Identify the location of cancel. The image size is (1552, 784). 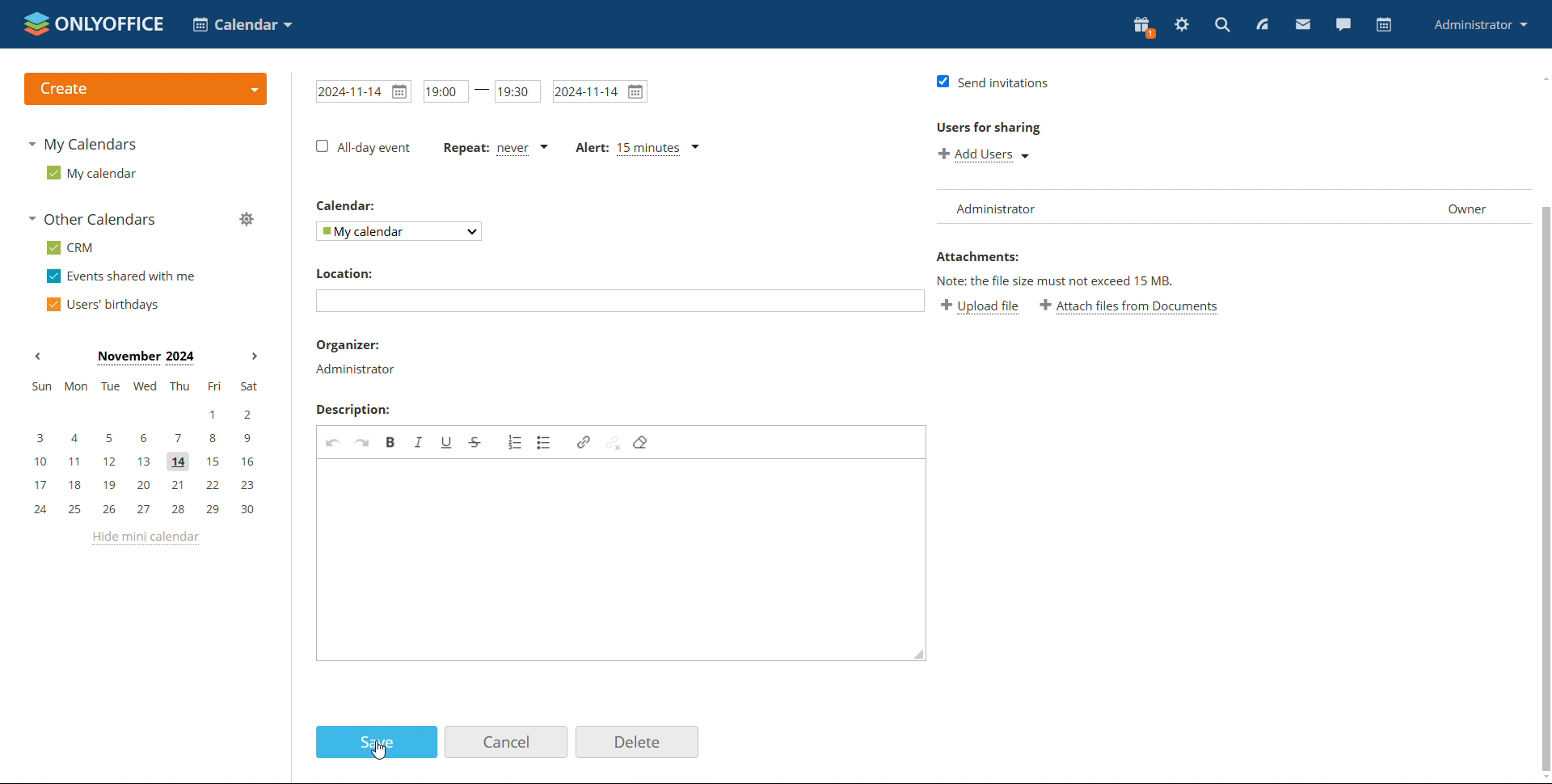
(506, 743).